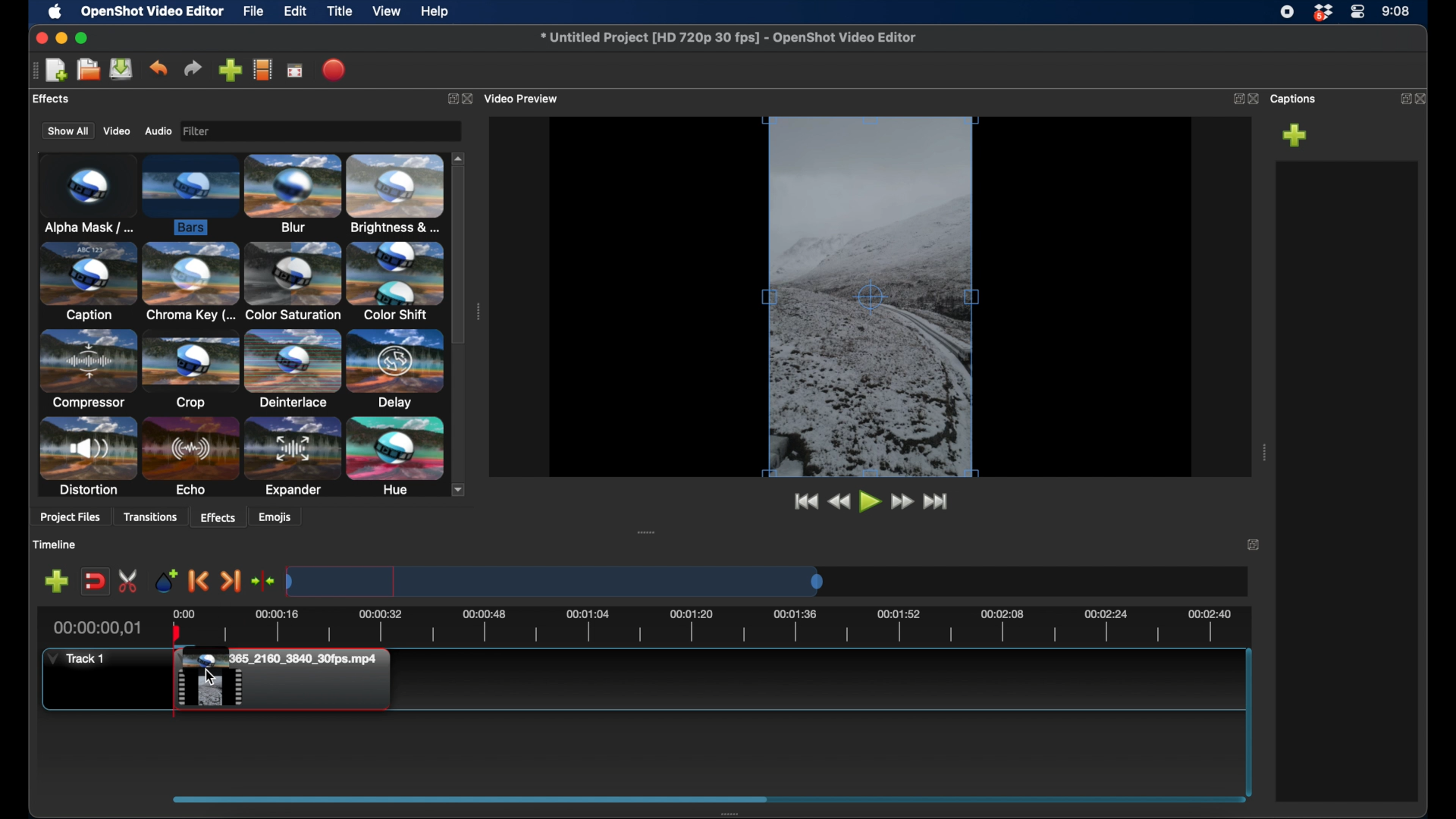 The width and height of the screenshot is (1456, 819). I want to click on file, so click(254, 12).